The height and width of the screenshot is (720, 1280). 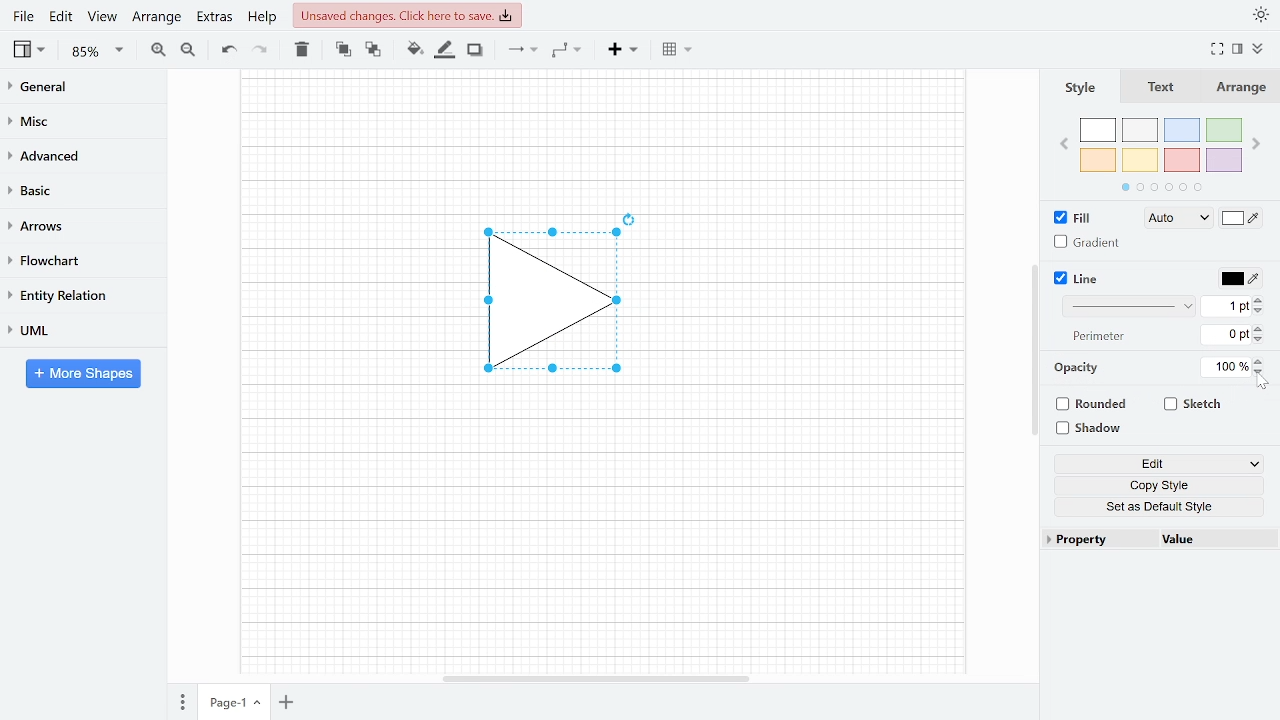 What do you see at coordinates (31, 49) in the screenshot?
I see `View` at bounding box center [31, 49].